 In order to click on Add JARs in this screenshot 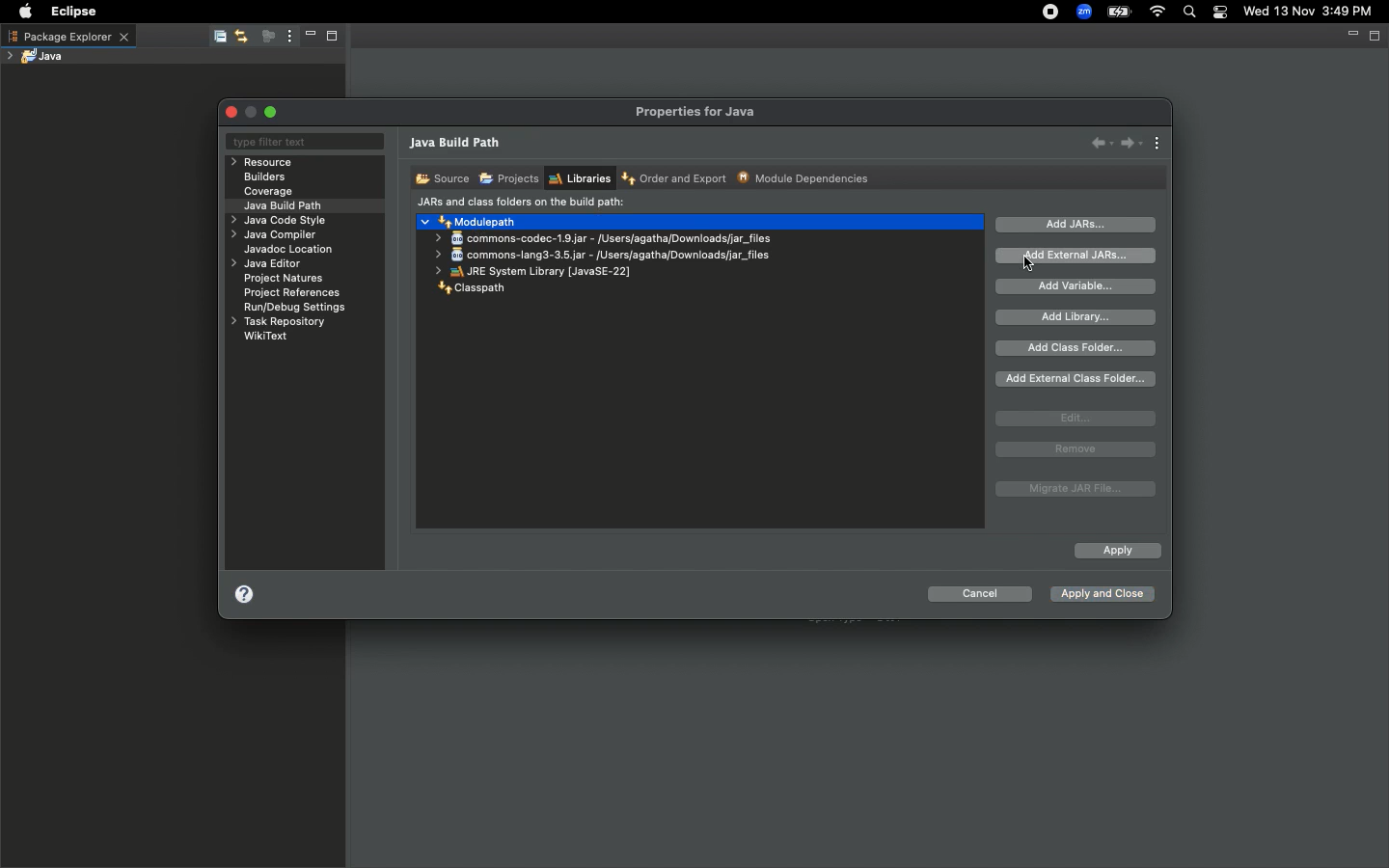, I will do `click(1076, 225)`.